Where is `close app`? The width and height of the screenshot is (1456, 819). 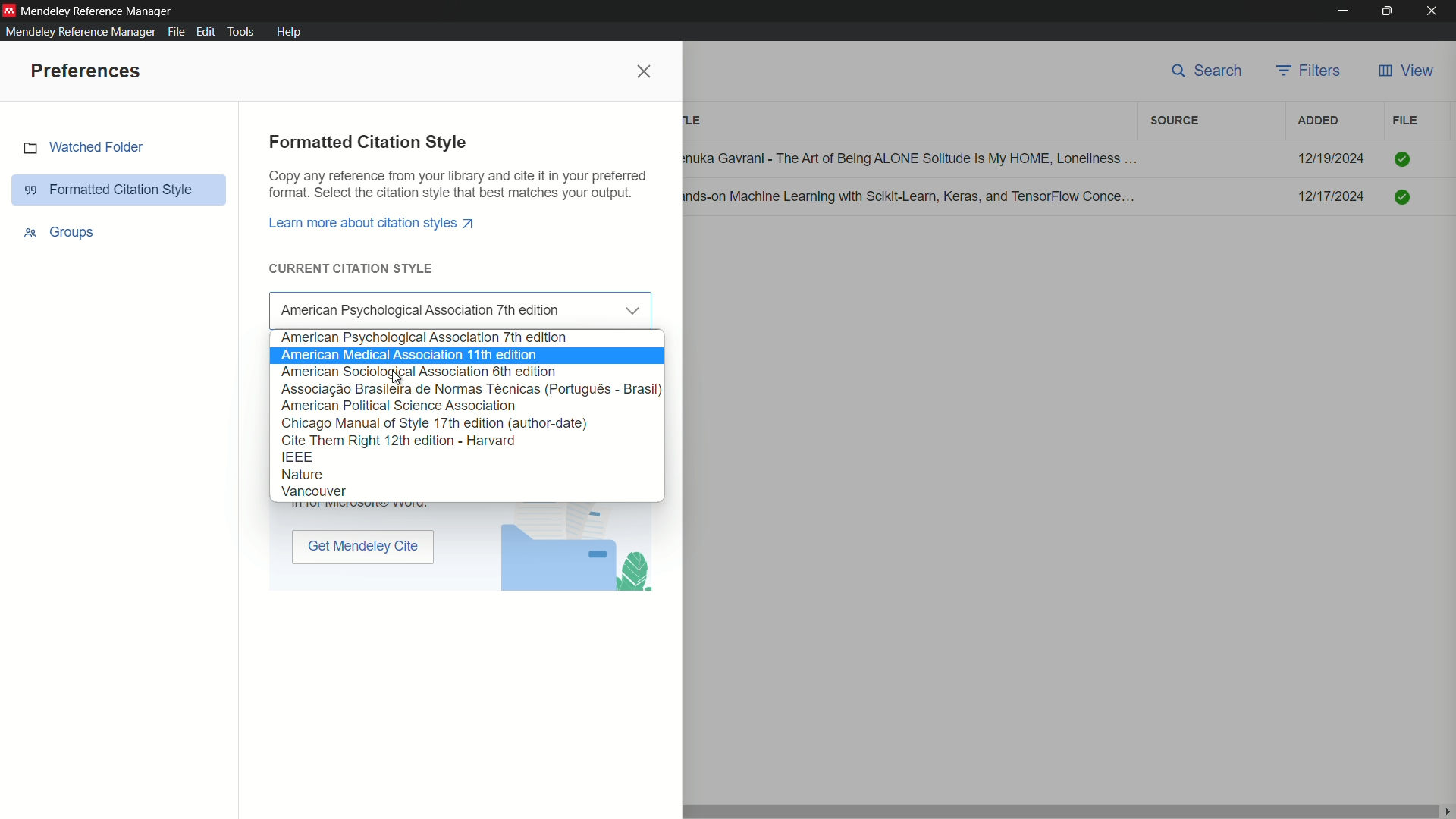 close app is located at coordinates (1436, 11).